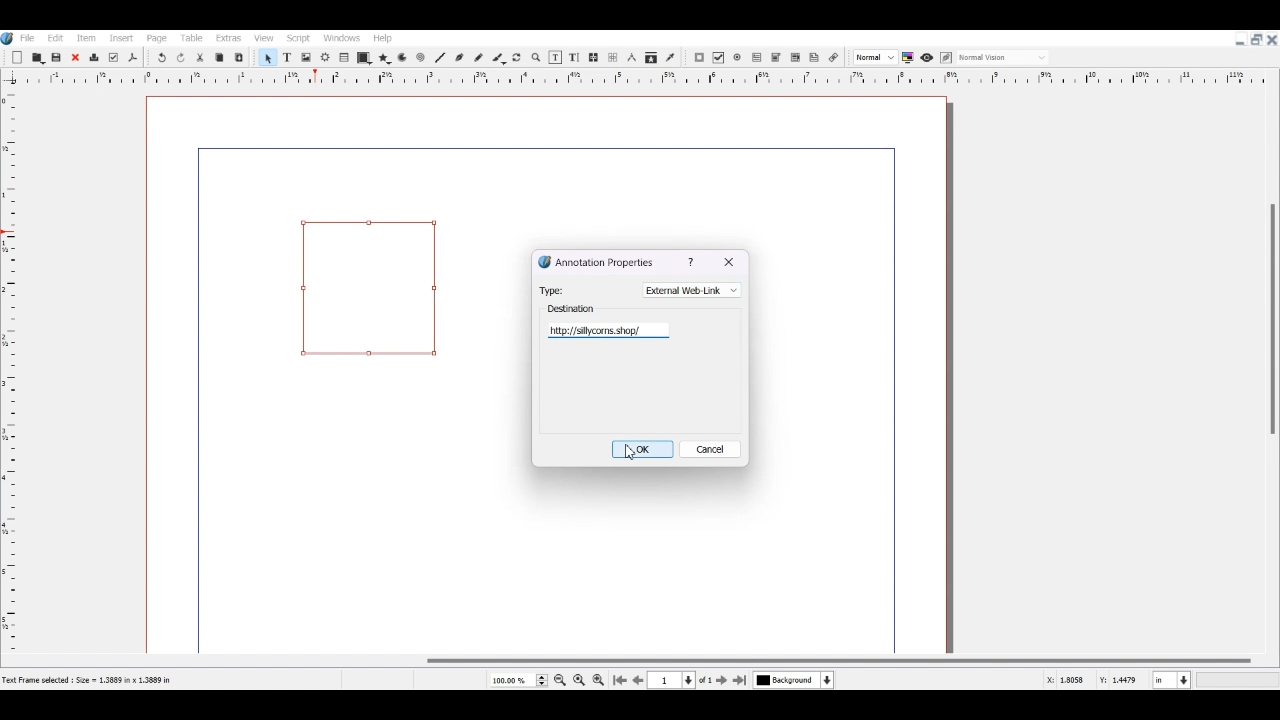 Image resolution: width=1280 pixels, height=720 pixels. I want to click on Freehand line, so click(478, 57).